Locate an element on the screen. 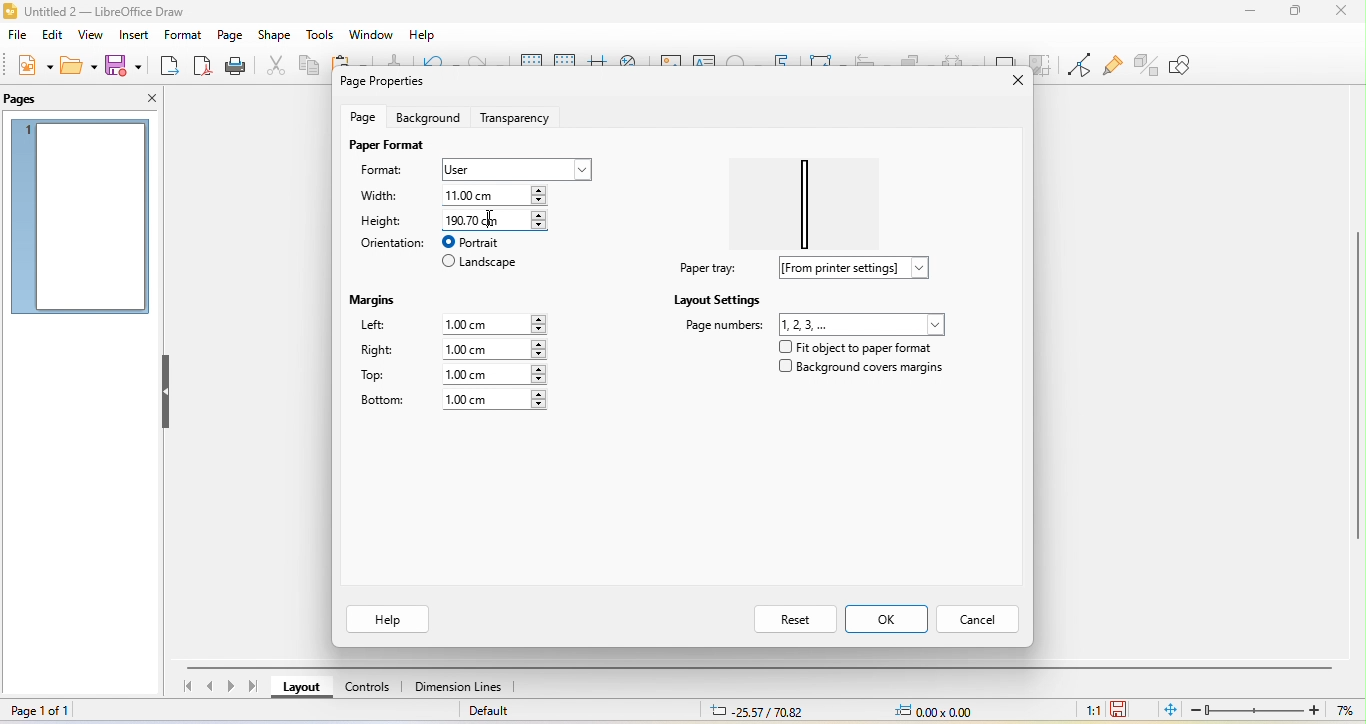  format is located at coordinates (391, 172).